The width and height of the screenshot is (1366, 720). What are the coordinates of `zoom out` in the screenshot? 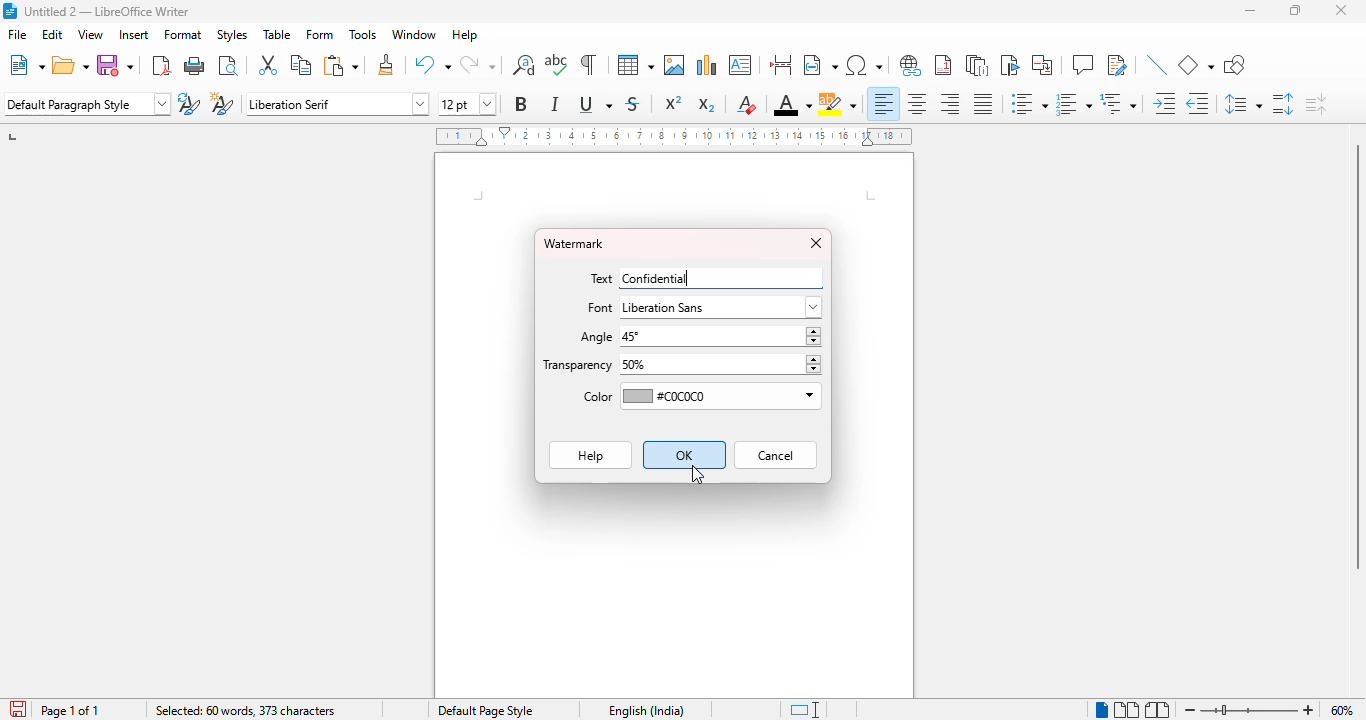 It's located at (1189, 710).